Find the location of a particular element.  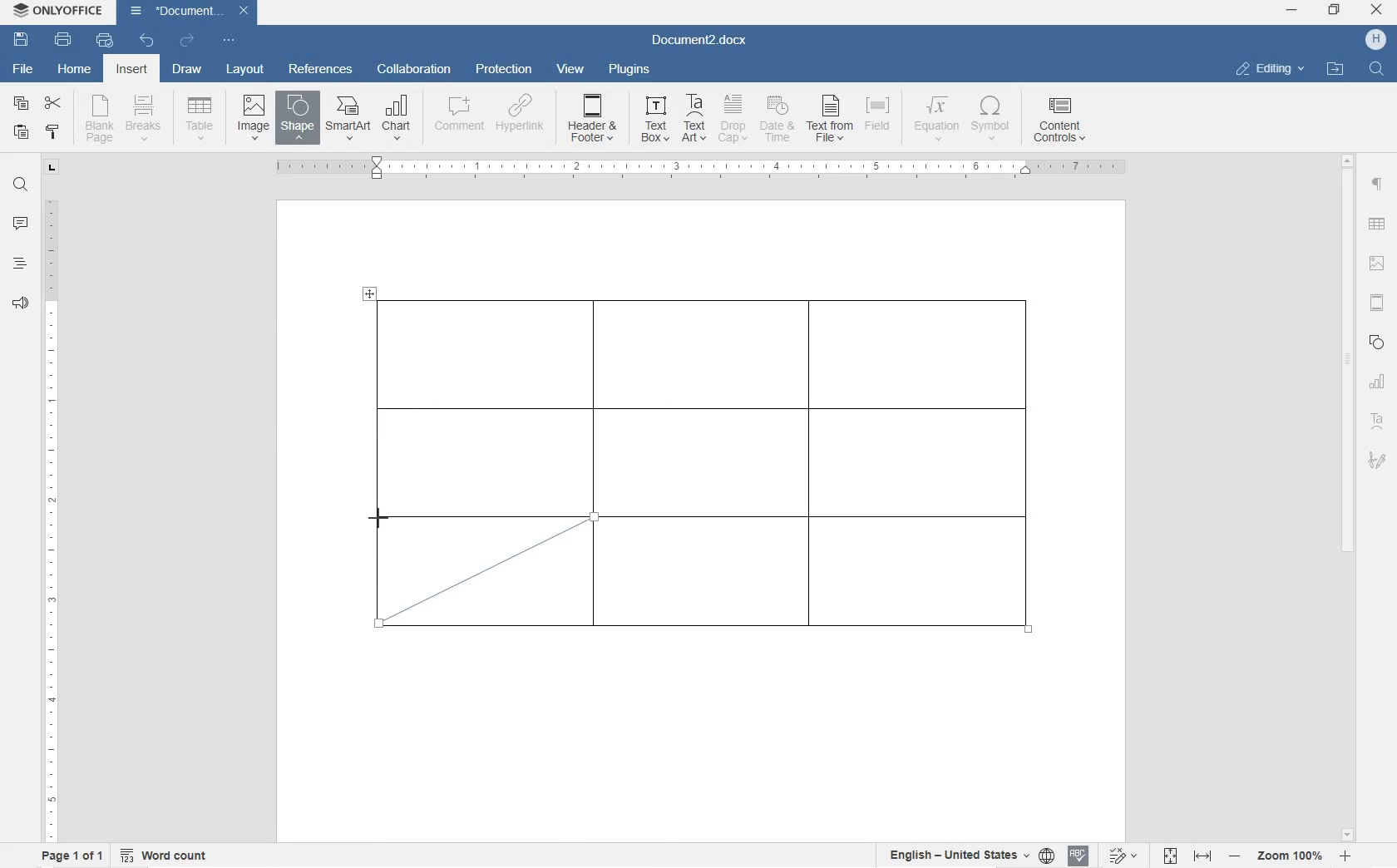

DATE & TIME is located at coordinates (780, 121).